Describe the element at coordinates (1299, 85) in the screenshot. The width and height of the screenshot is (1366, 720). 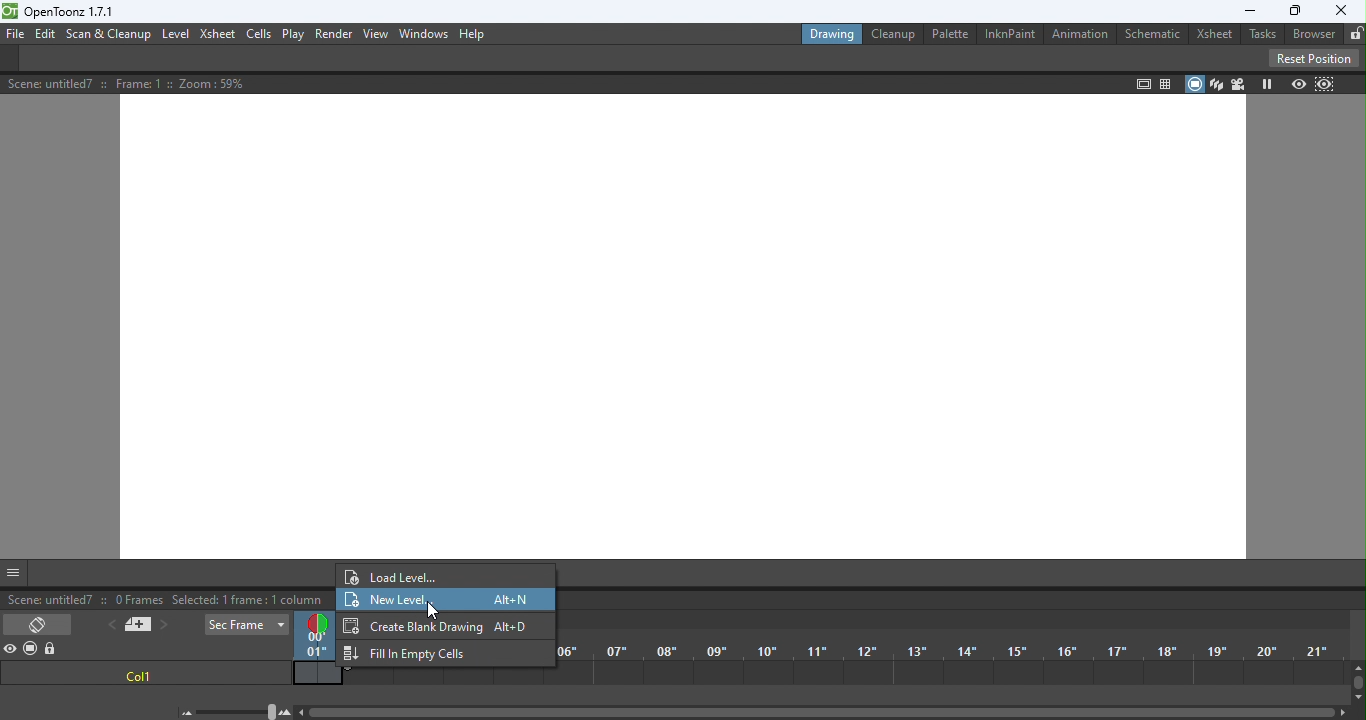
I see `Preview` at that location.